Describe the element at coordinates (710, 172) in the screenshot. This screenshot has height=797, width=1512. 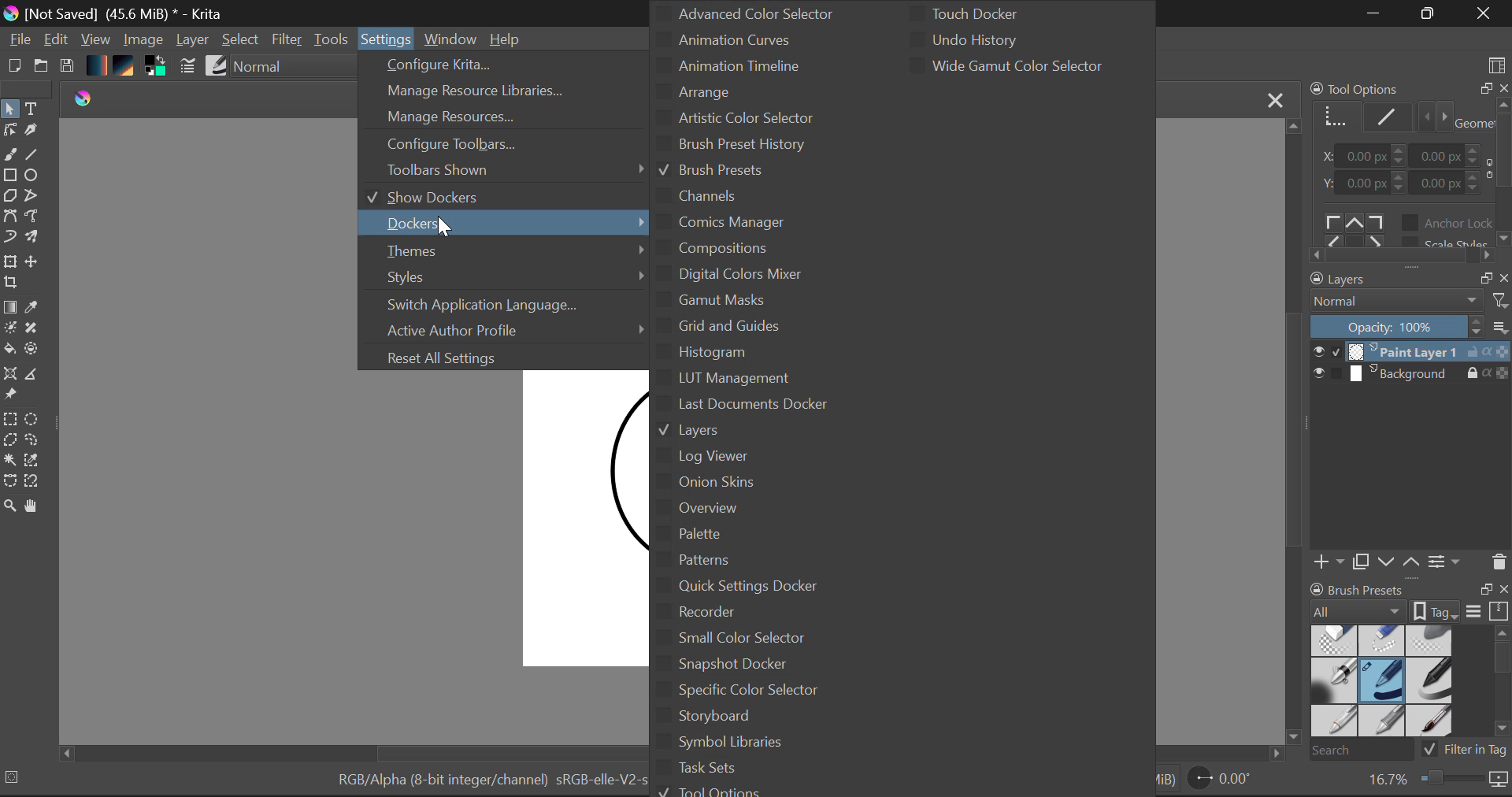
I see `Brush Presets` at that location.